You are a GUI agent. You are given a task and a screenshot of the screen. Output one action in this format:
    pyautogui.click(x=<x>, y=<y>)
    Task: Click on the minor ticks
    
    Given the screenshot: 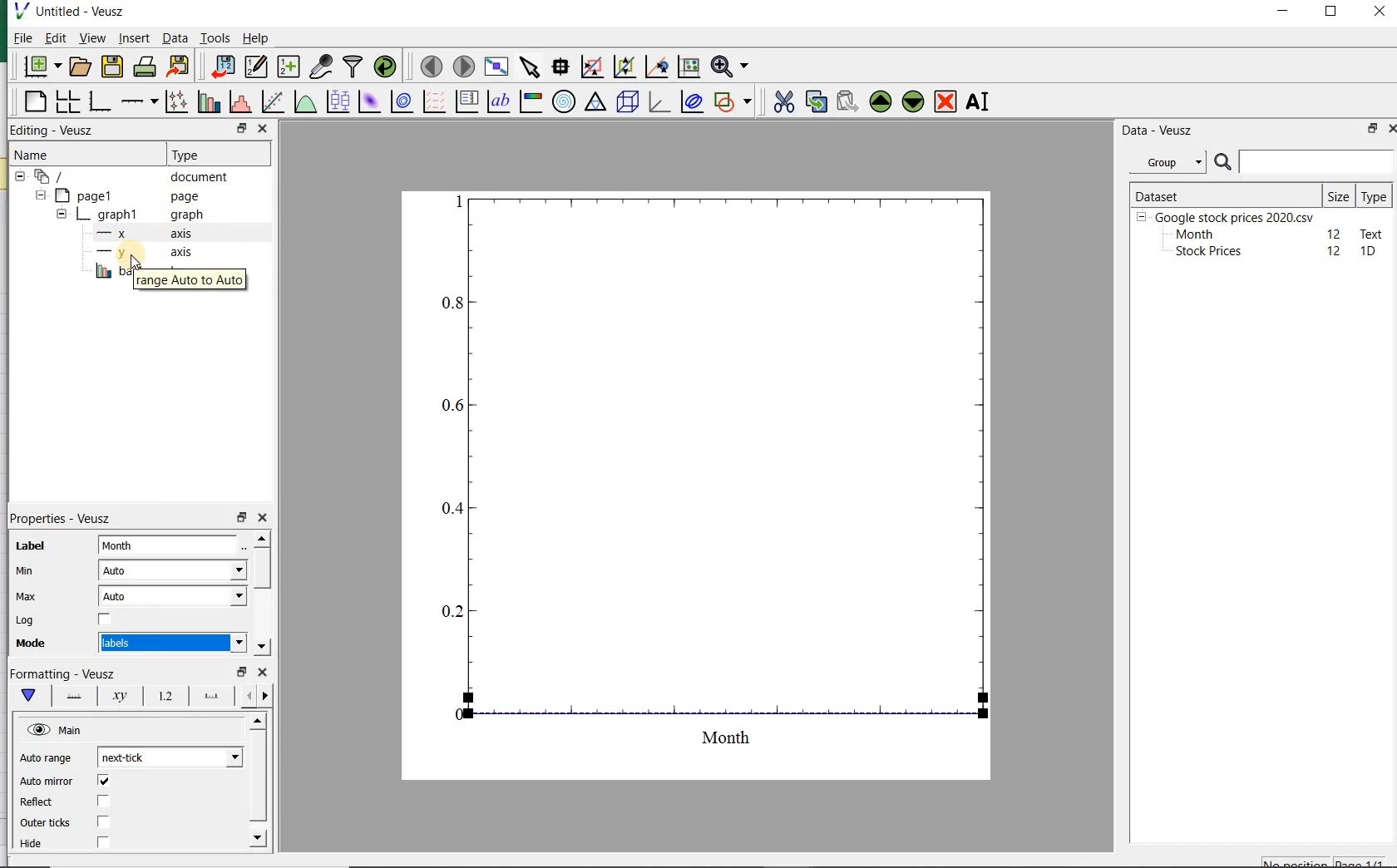 What is the action you would take?
    pyautogui.click(x=255, y=697)
    